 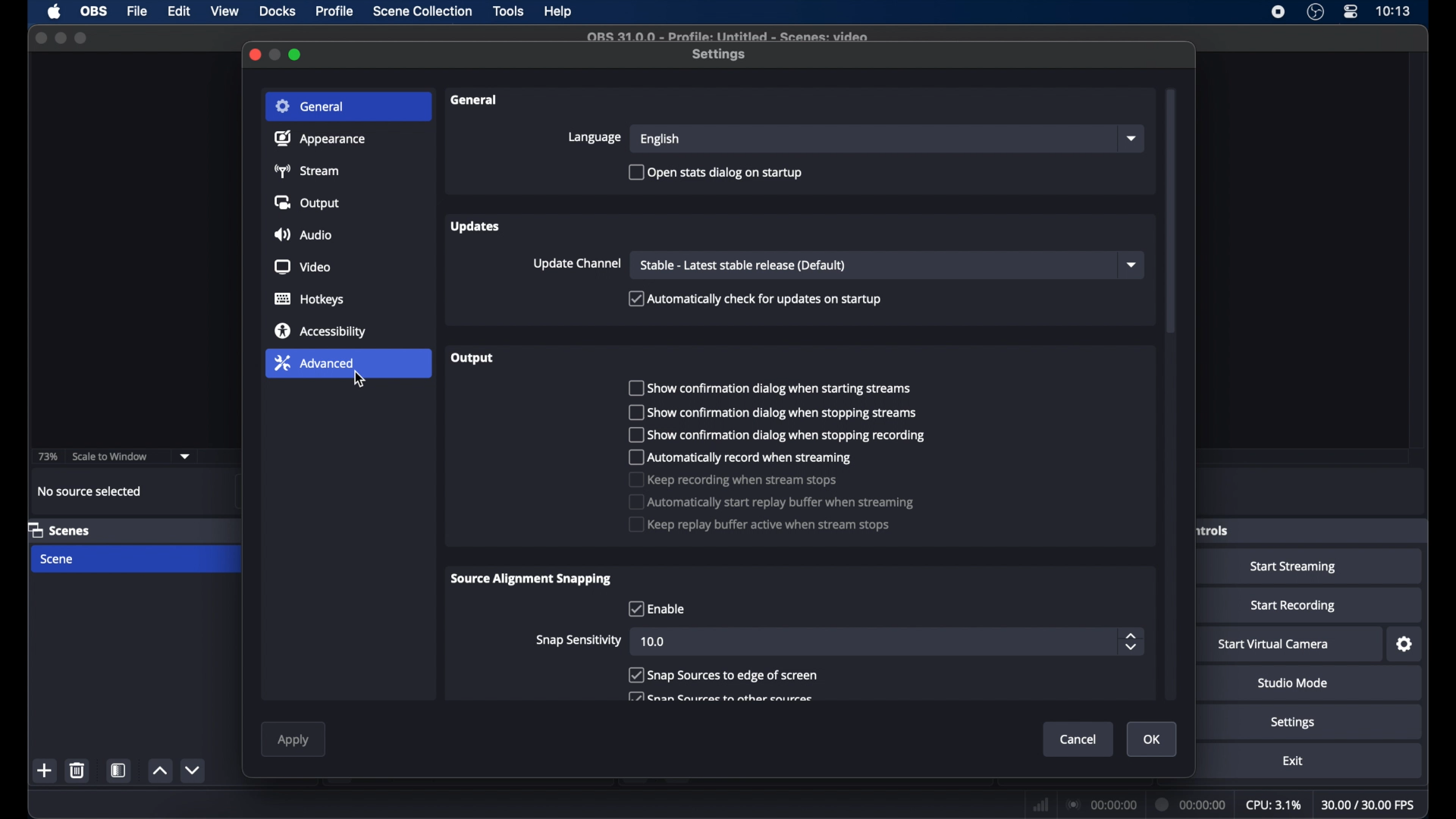 What do you see at coordinates (137, 12) in the screenshot?
I see `file` at bounding box center [137, 12].